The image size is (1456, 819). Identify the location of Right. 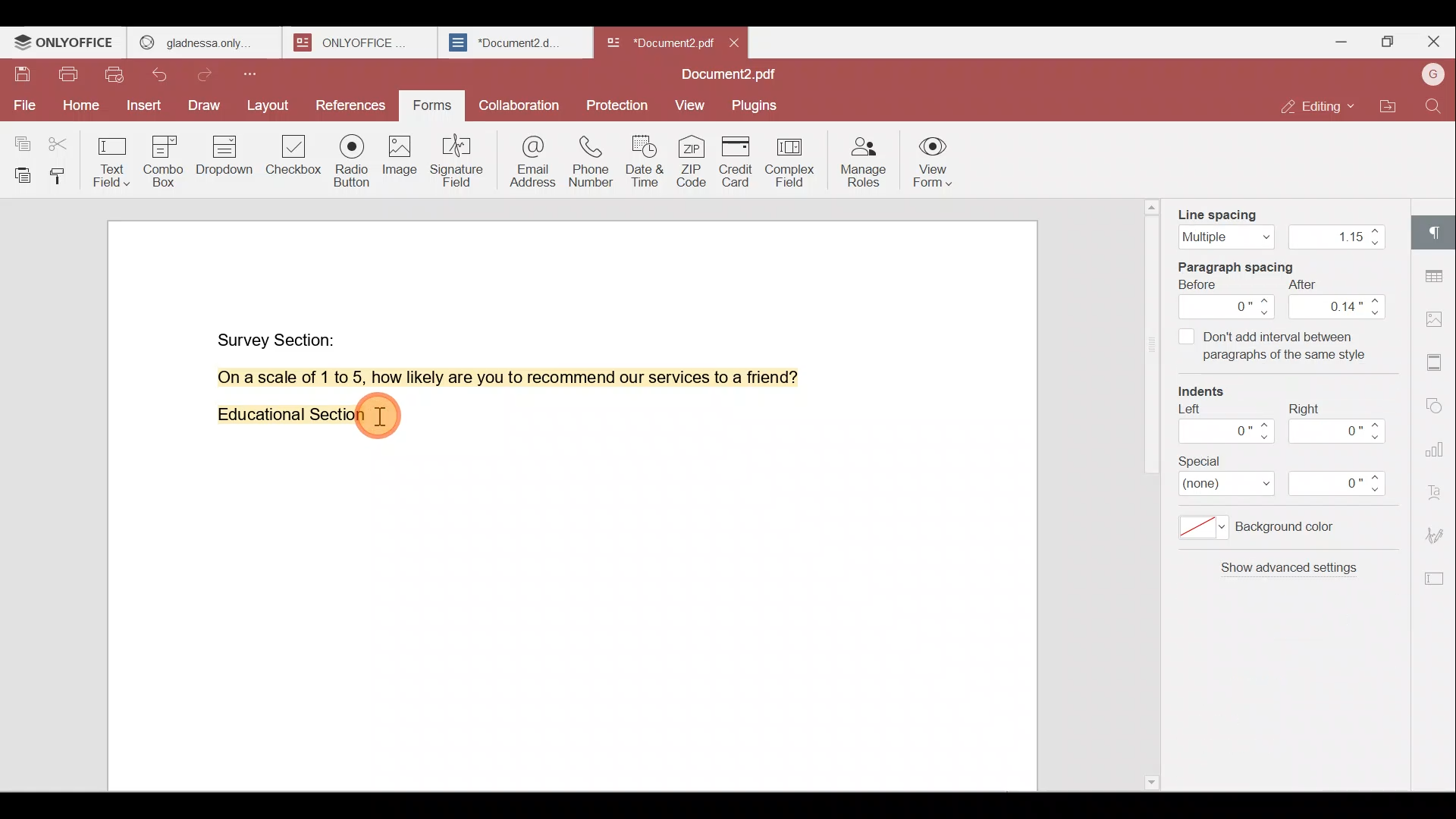
(1341, 423).